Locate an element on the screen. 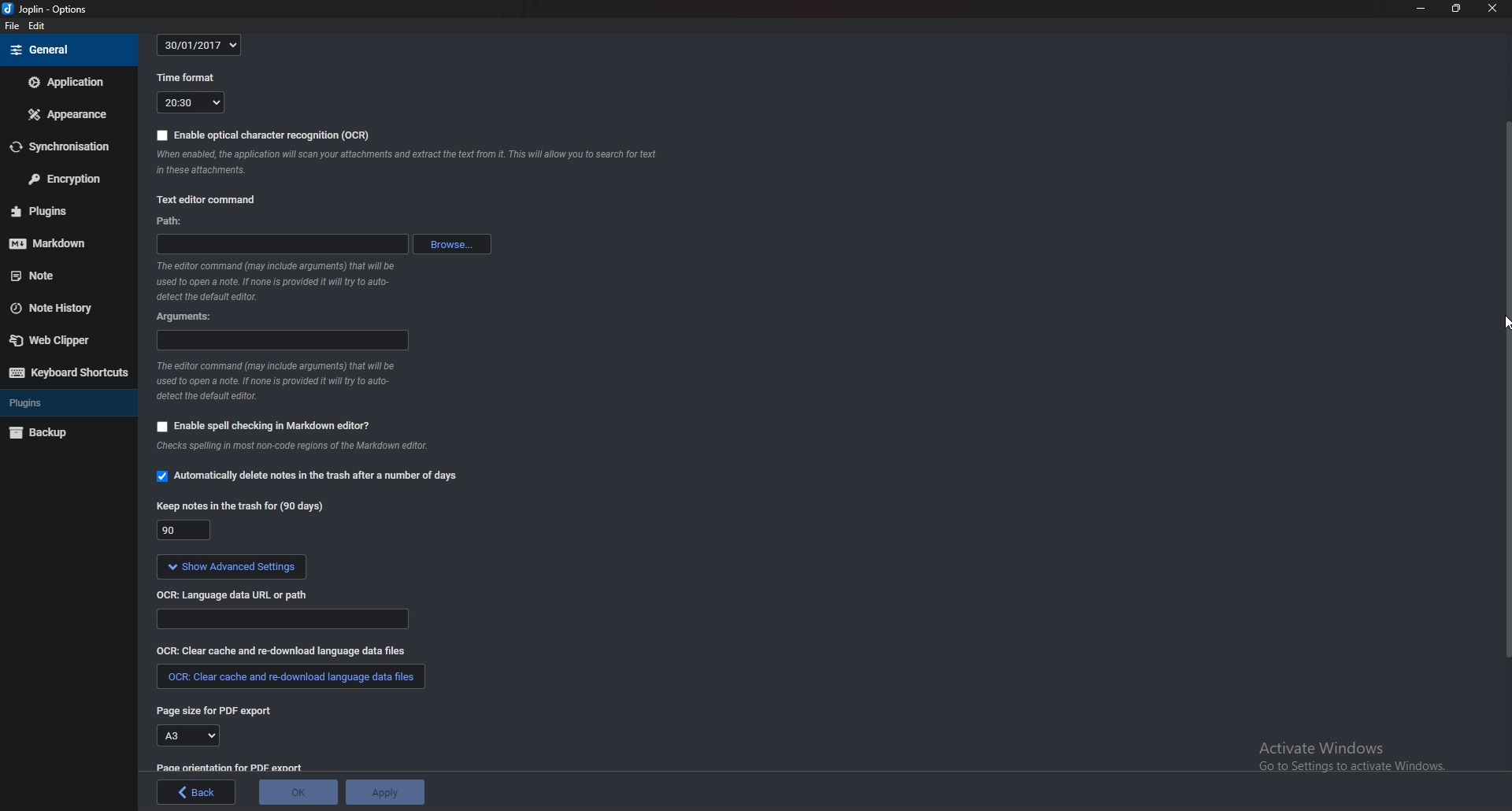 Image resolution: width=1512 pixels, height=811 pixels. Back up is located at coordinates (69, 434).